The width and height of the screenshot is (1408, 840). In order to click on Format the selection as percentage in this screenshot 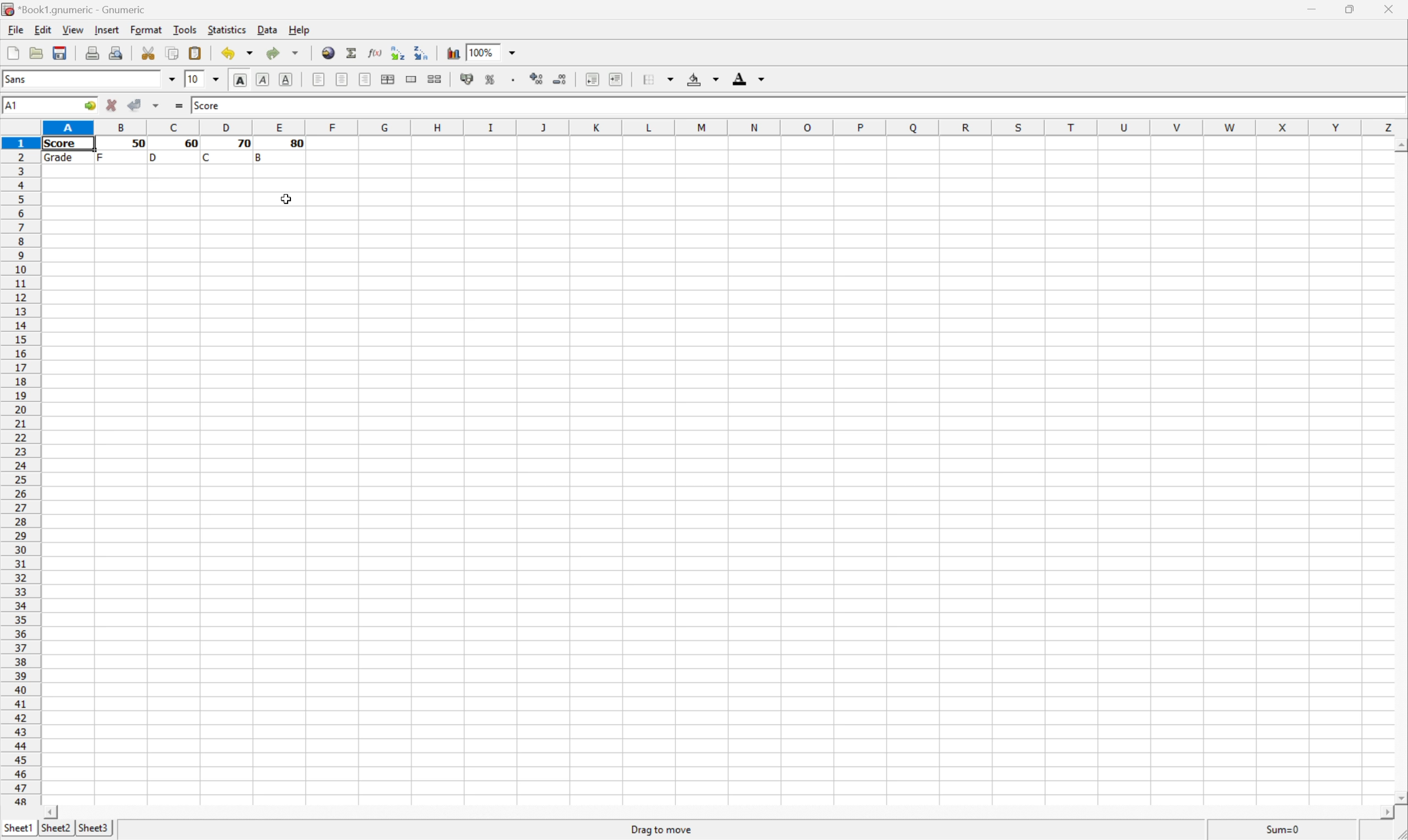, I will do `click(491, 80)`.